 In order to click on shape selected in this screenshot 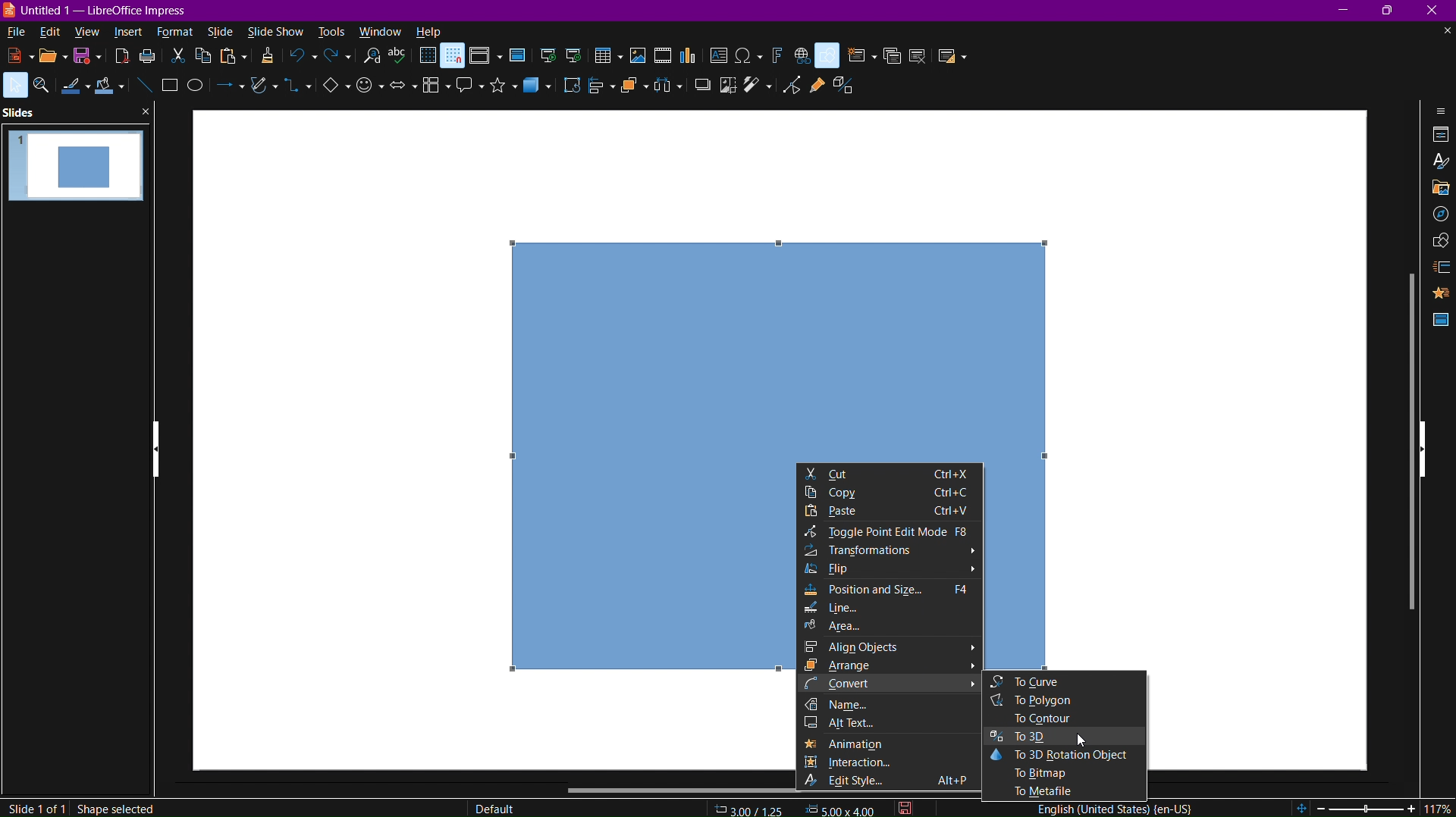, I will do `click(116, 808)`.